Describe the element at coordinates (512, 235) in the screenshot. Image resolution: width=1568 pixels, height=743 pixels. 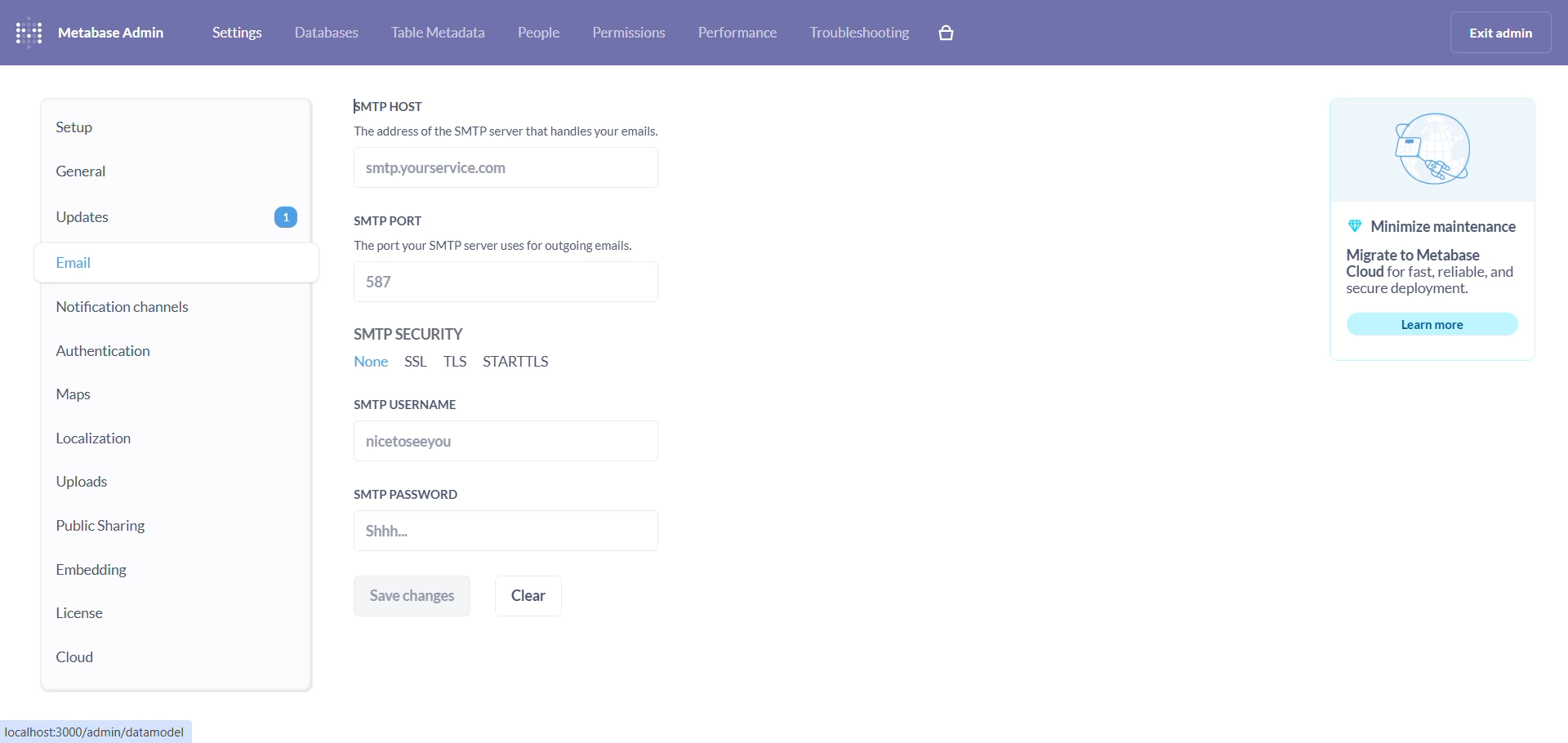
I see `SMTP PORT HEADING` at that location.